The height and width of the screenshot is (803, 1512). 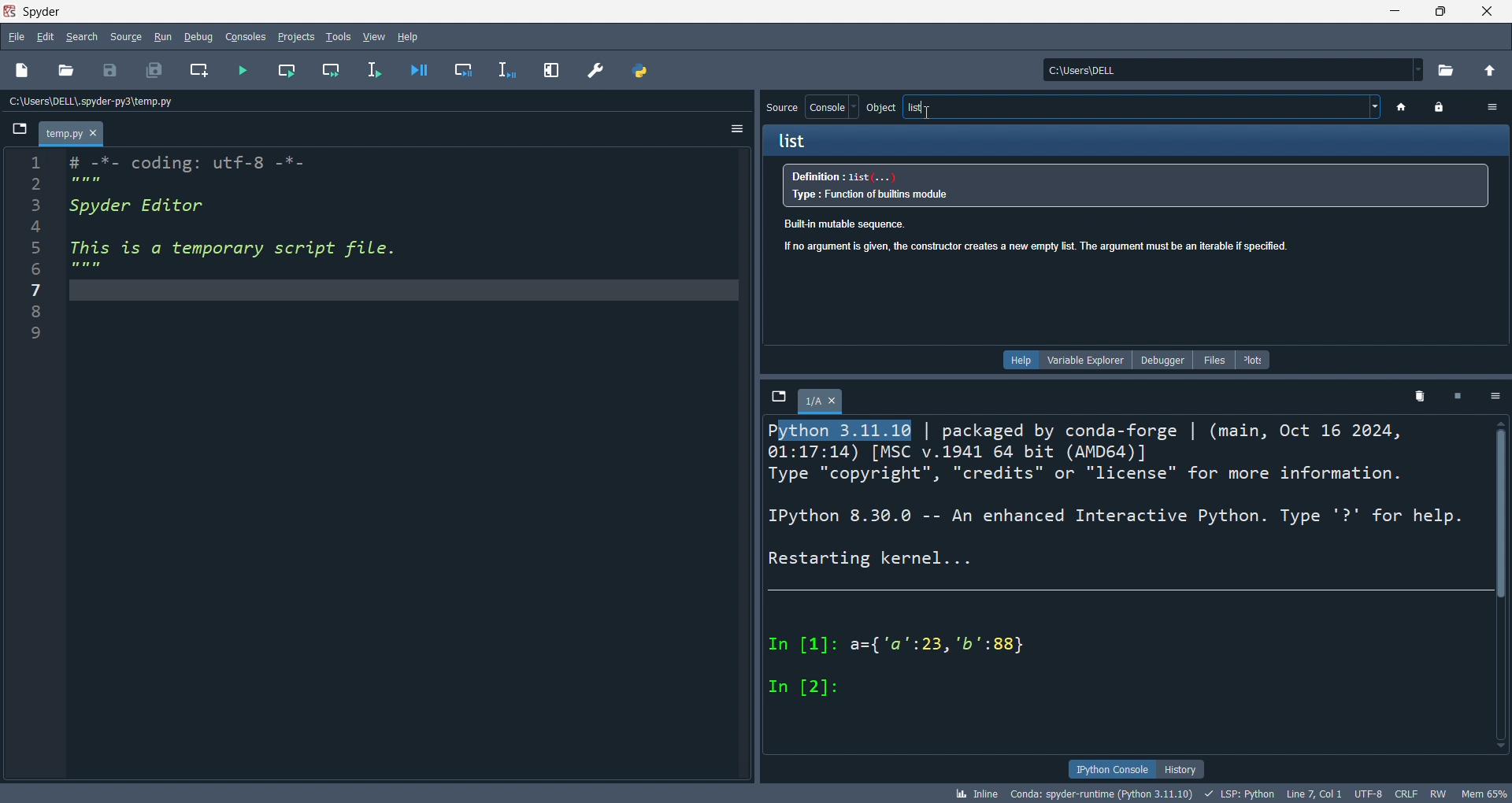 What do you see at coordinates (28, 461) in the screenshot?
I see `line number` at bounding box center [28, 461].